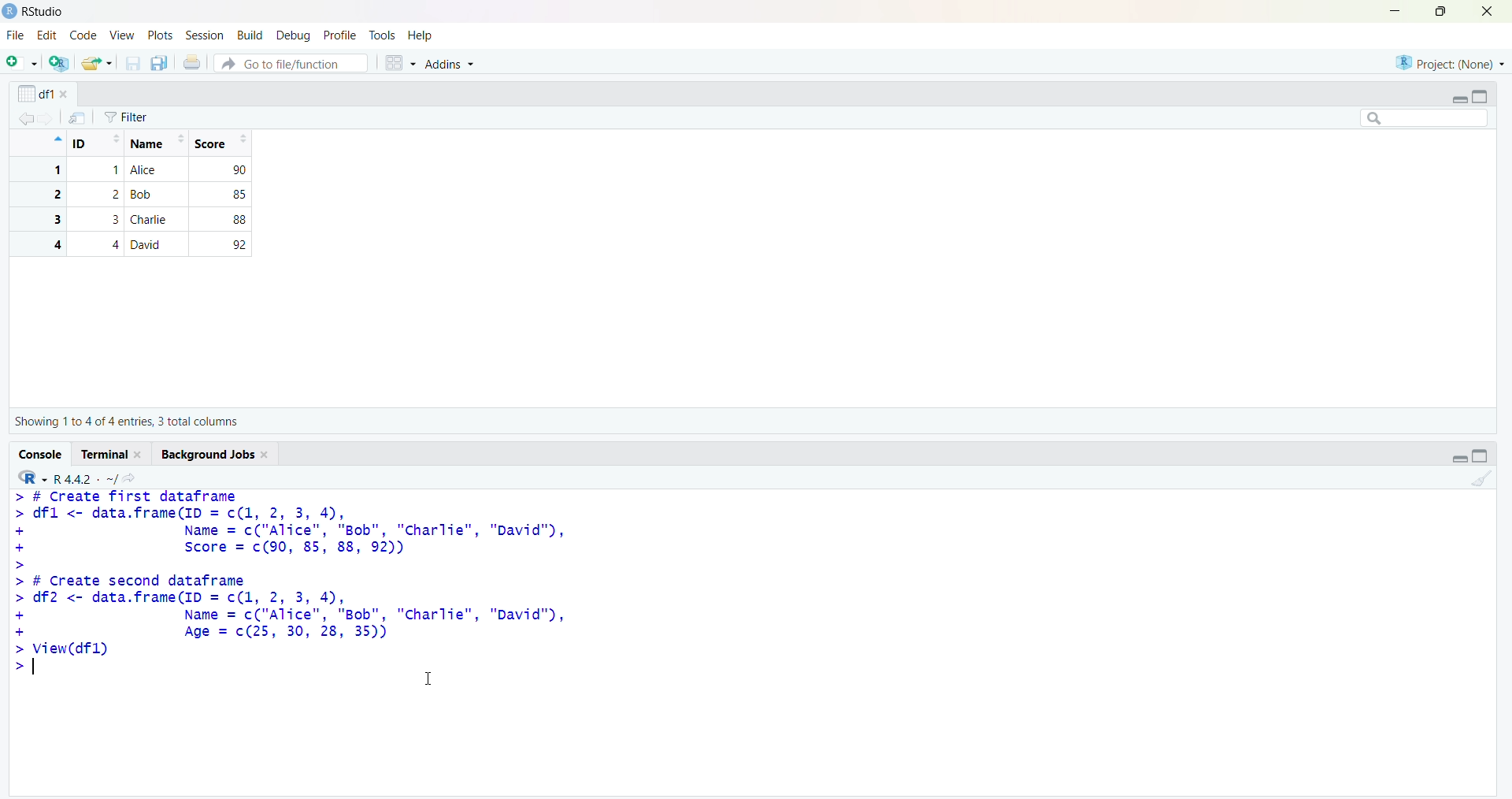 The image size is (1512, 799). What do you see at coordinates (135, 170) in the screenshot?
I see `1 1 Alice 90` at bounding box center [135, 170].